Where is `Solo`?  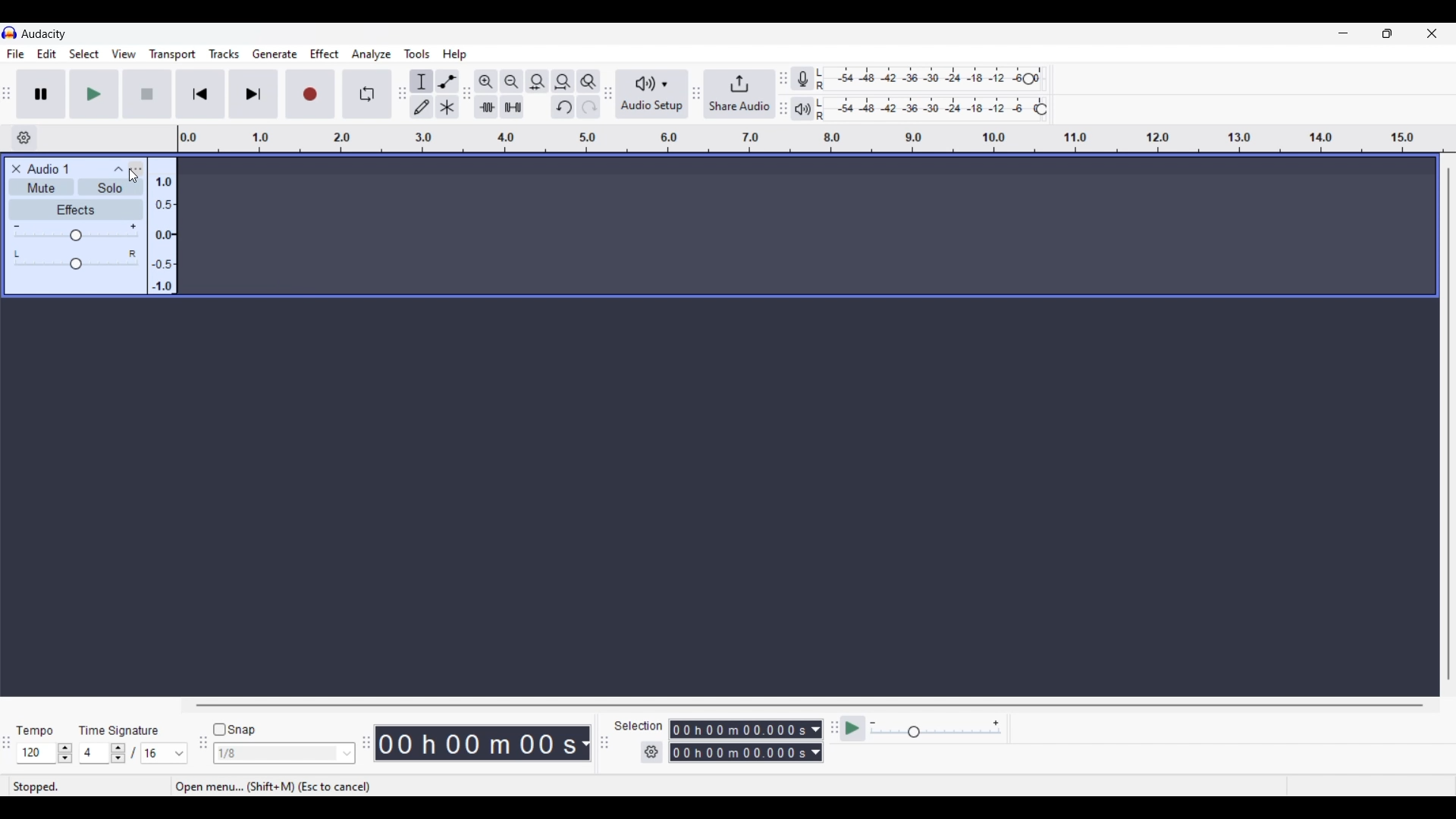
Solo is located at coordinates (109, 190).